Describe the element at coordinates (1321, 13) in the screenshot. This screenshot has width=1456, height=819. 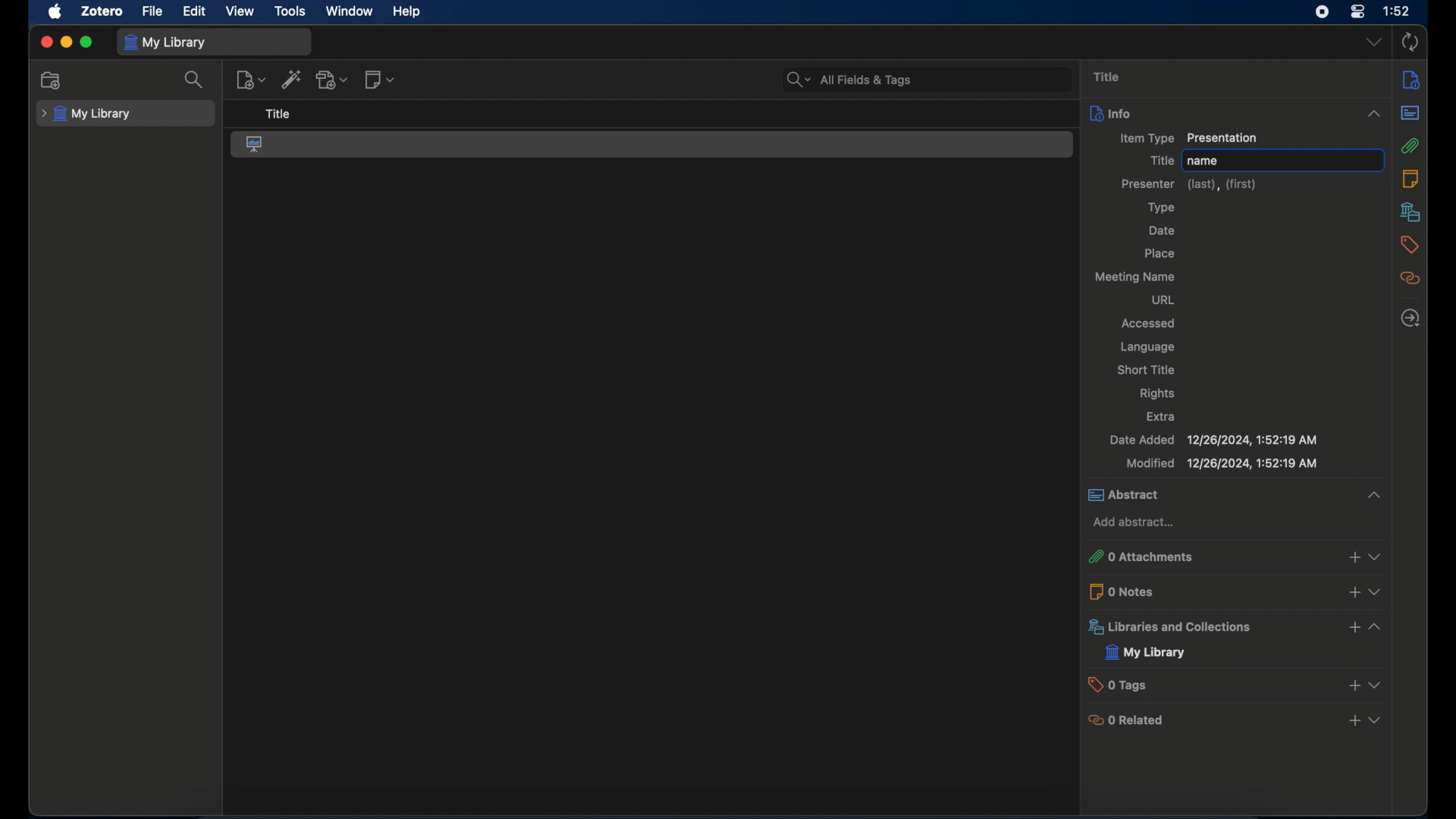
I see `screen recorder` at that location.